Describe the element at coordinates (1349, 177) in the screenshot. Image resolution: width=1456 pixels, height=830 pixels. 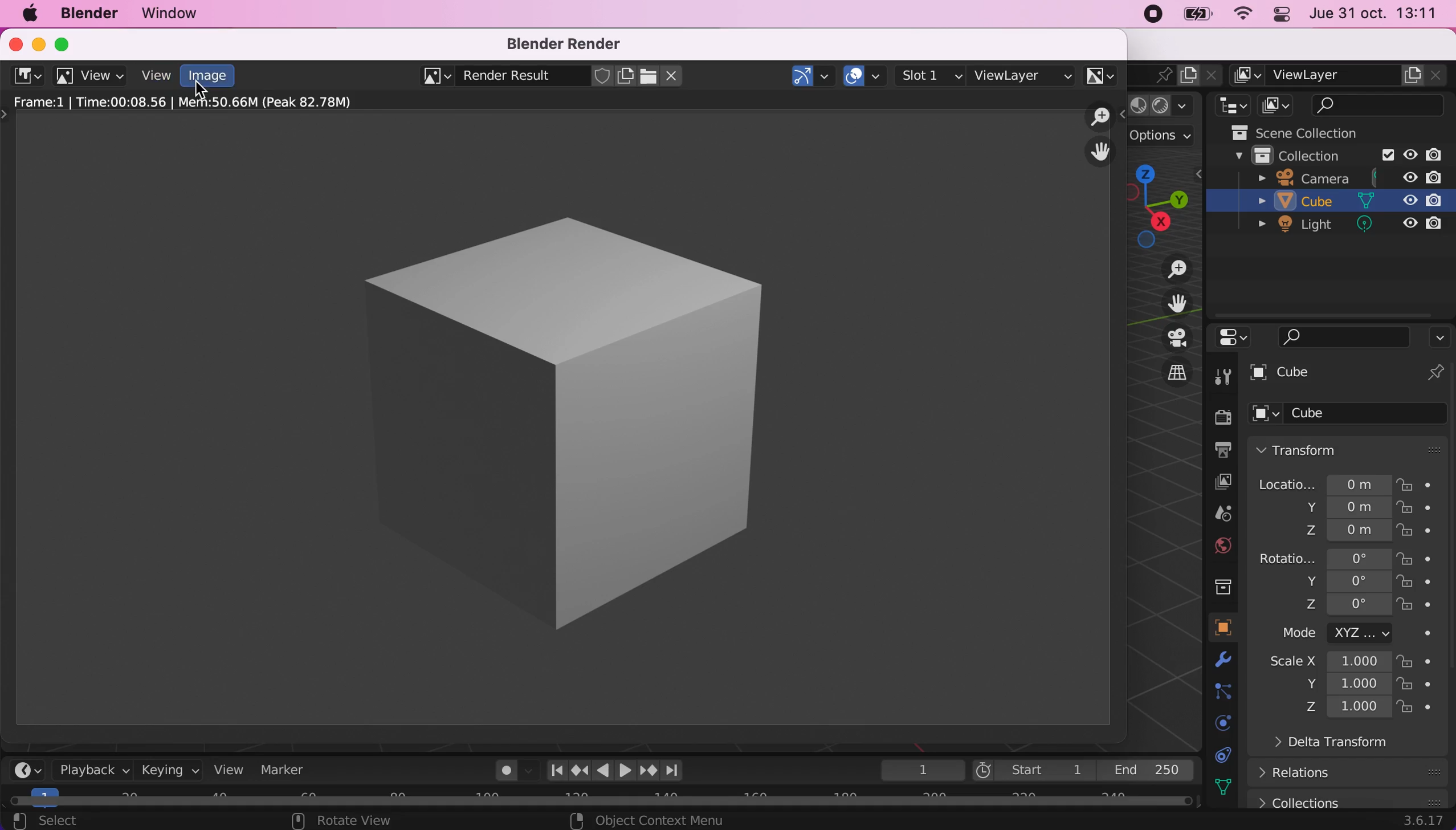
I see `camera` at that location.